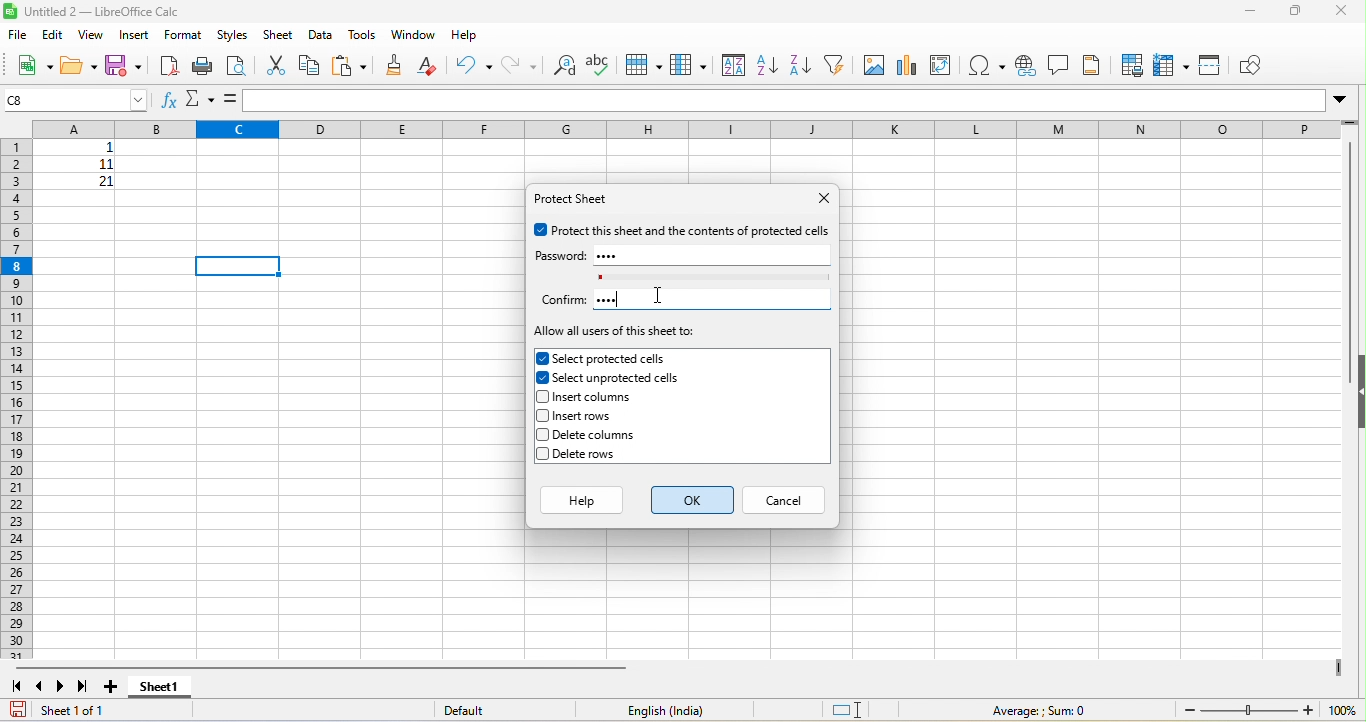 The height and width of the screenshot is (722, 1366). Describe the element at coordinates (942, 64) in the screenshot. I see `pivot table` at that location.